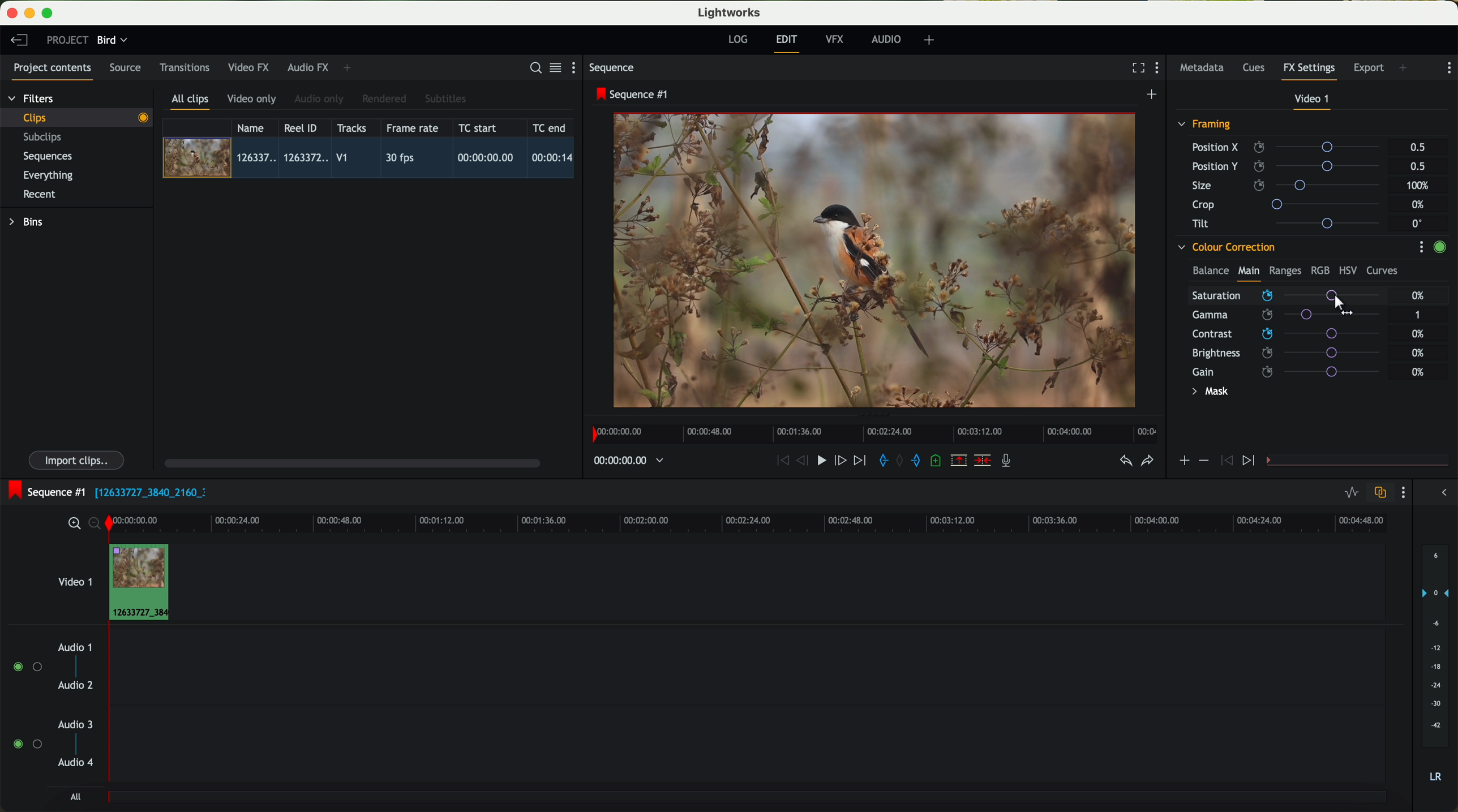 The height and width of the screenshot is (812, 1458). Describe the element at coordinates (308, 67) in the screenshot. I see `audio FX` at that location.